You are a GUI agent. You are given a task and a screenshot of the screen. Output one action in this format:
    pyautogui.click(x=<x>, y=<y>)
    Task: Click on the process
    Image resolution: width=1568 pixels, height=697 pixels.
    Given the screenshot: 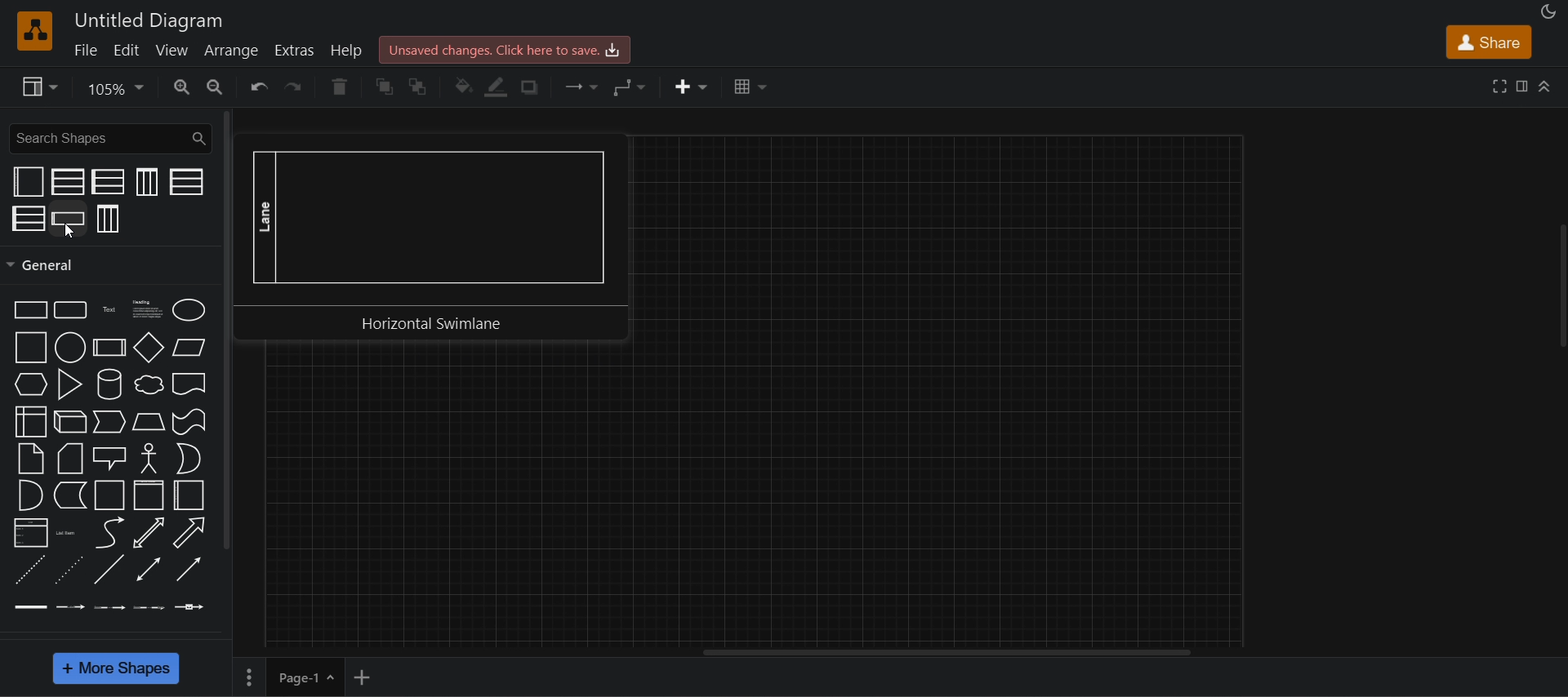 What is the action you would take?
    pyautogui.click(x=109, y=348)
    